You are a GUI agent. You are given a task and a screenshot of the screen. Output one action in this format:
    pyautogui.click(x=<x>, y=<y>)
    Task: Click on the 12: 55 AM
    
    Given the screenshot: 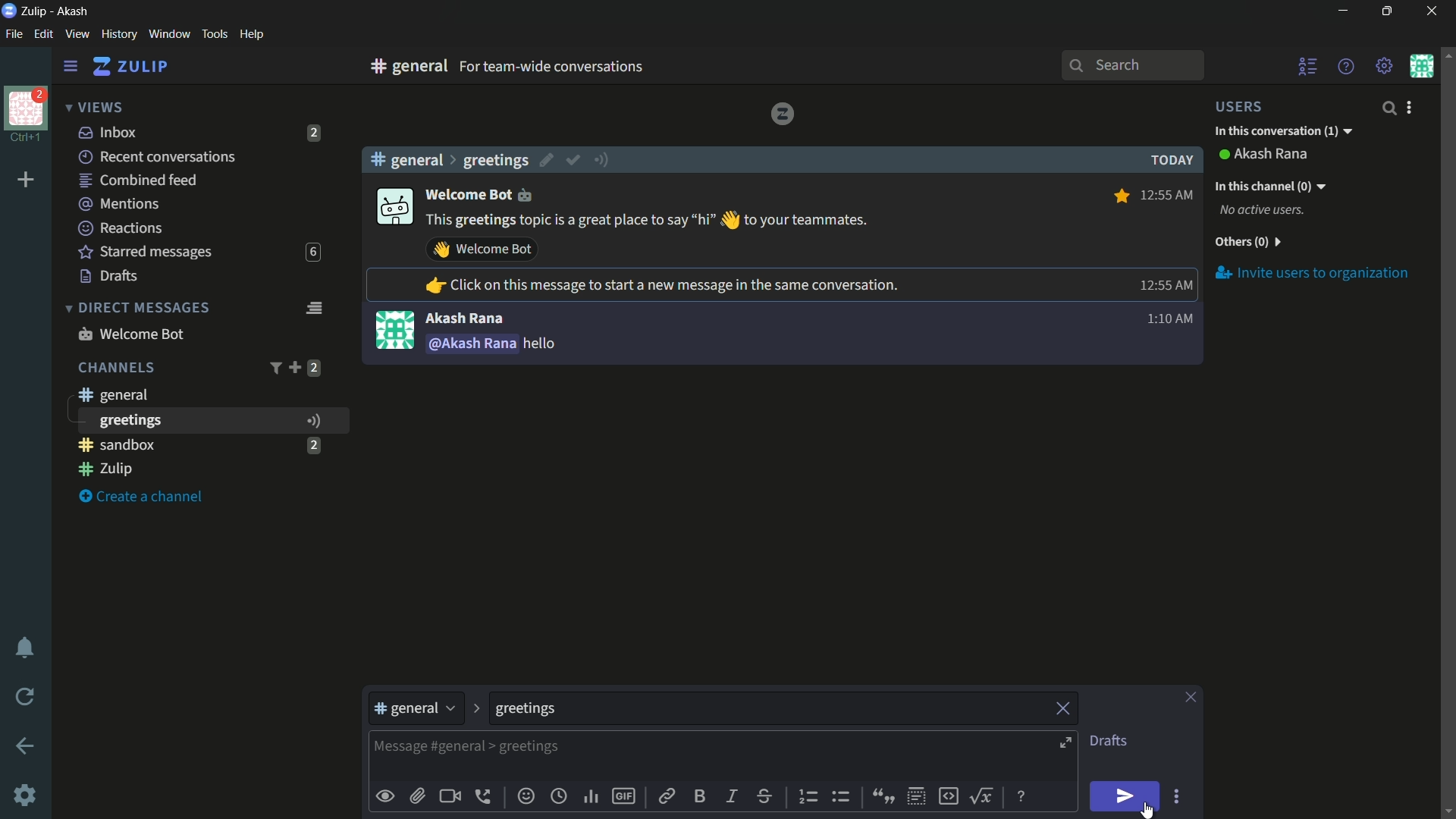 What is the action you would take?
    pyautogui.click(x=1169, y=193)
    